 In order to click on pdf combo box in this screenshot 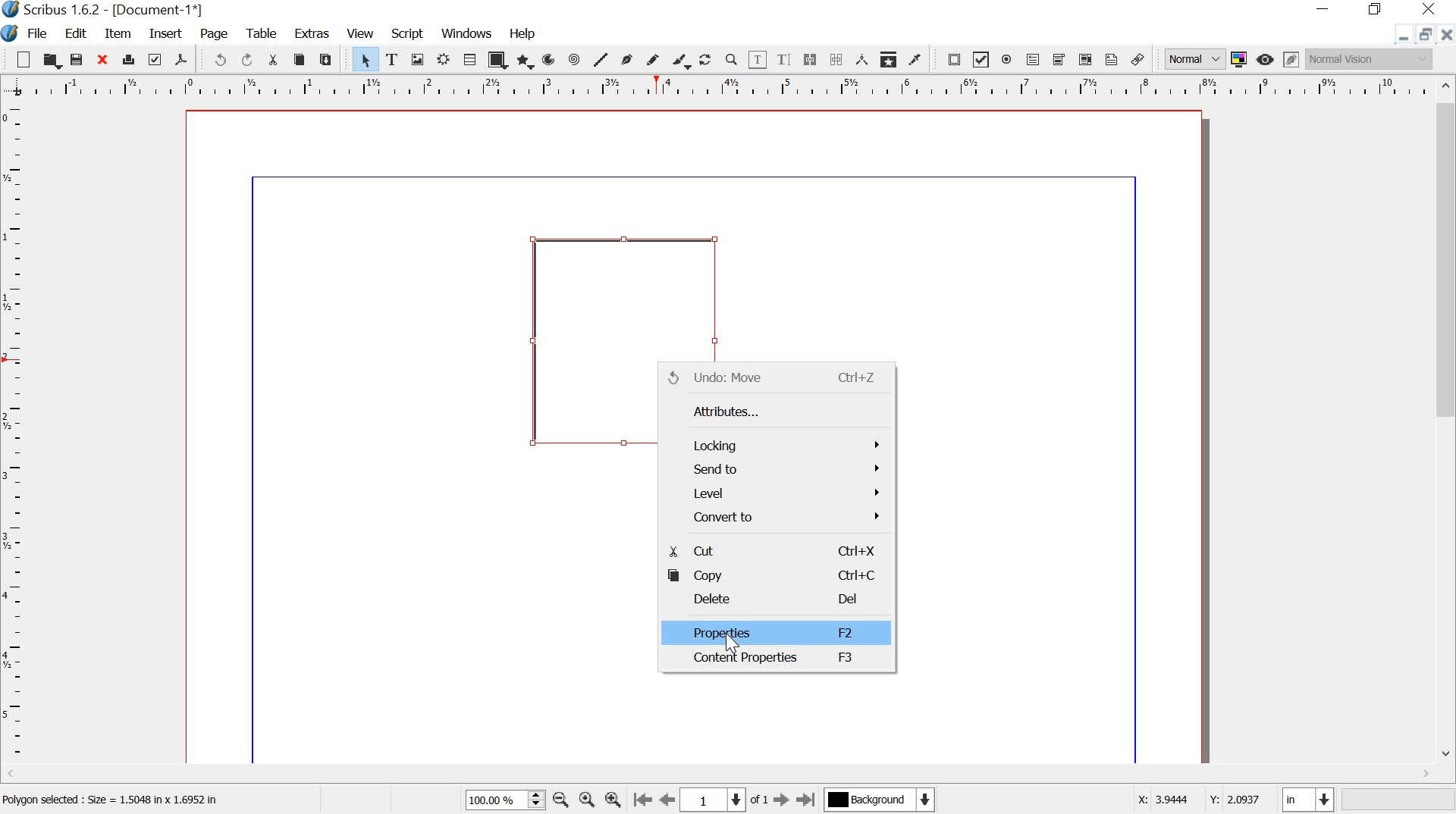, I will do `click(1060, 61)`.